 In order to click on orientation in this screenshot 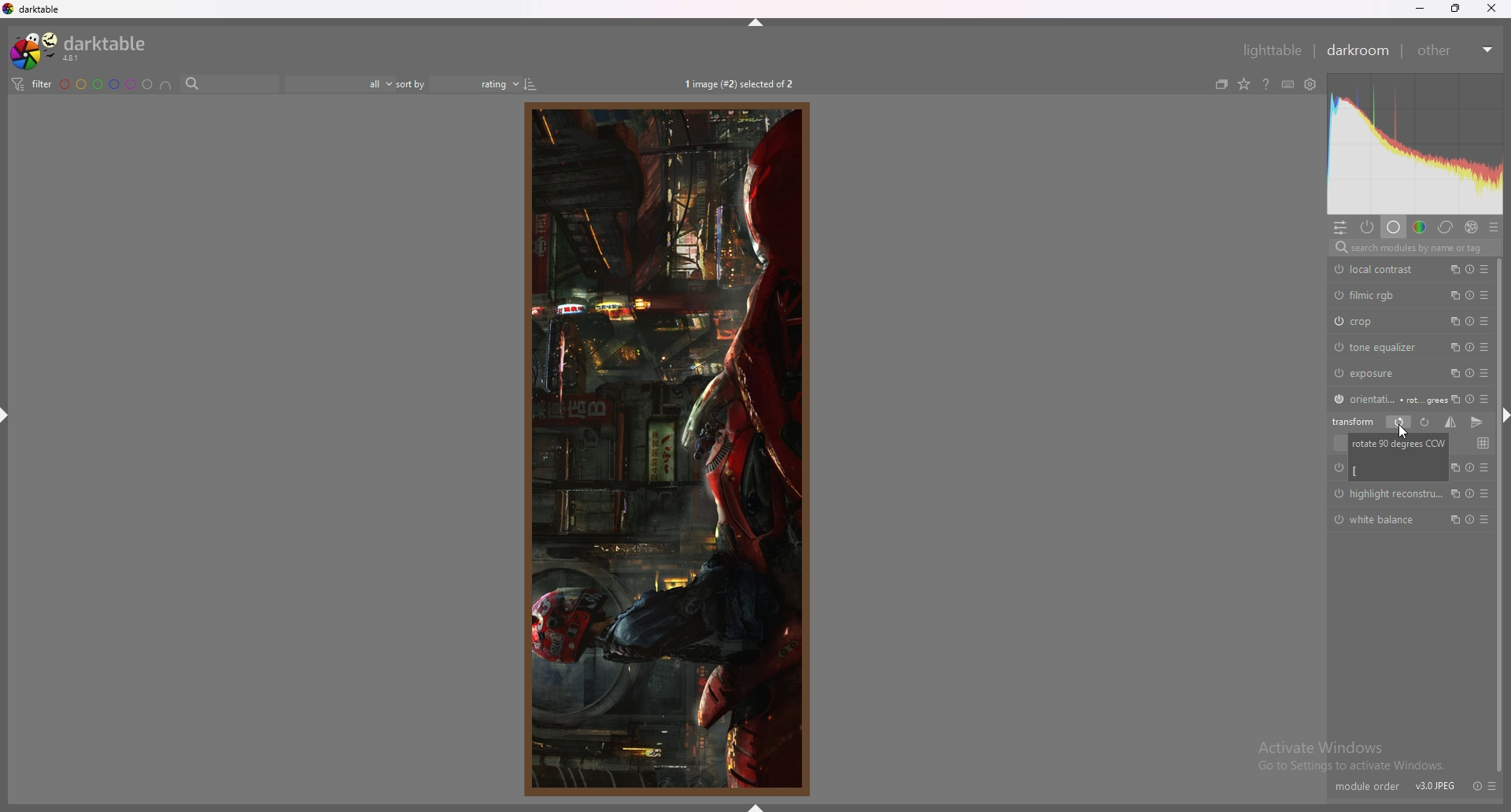, I will do `click(1384, 398)`.